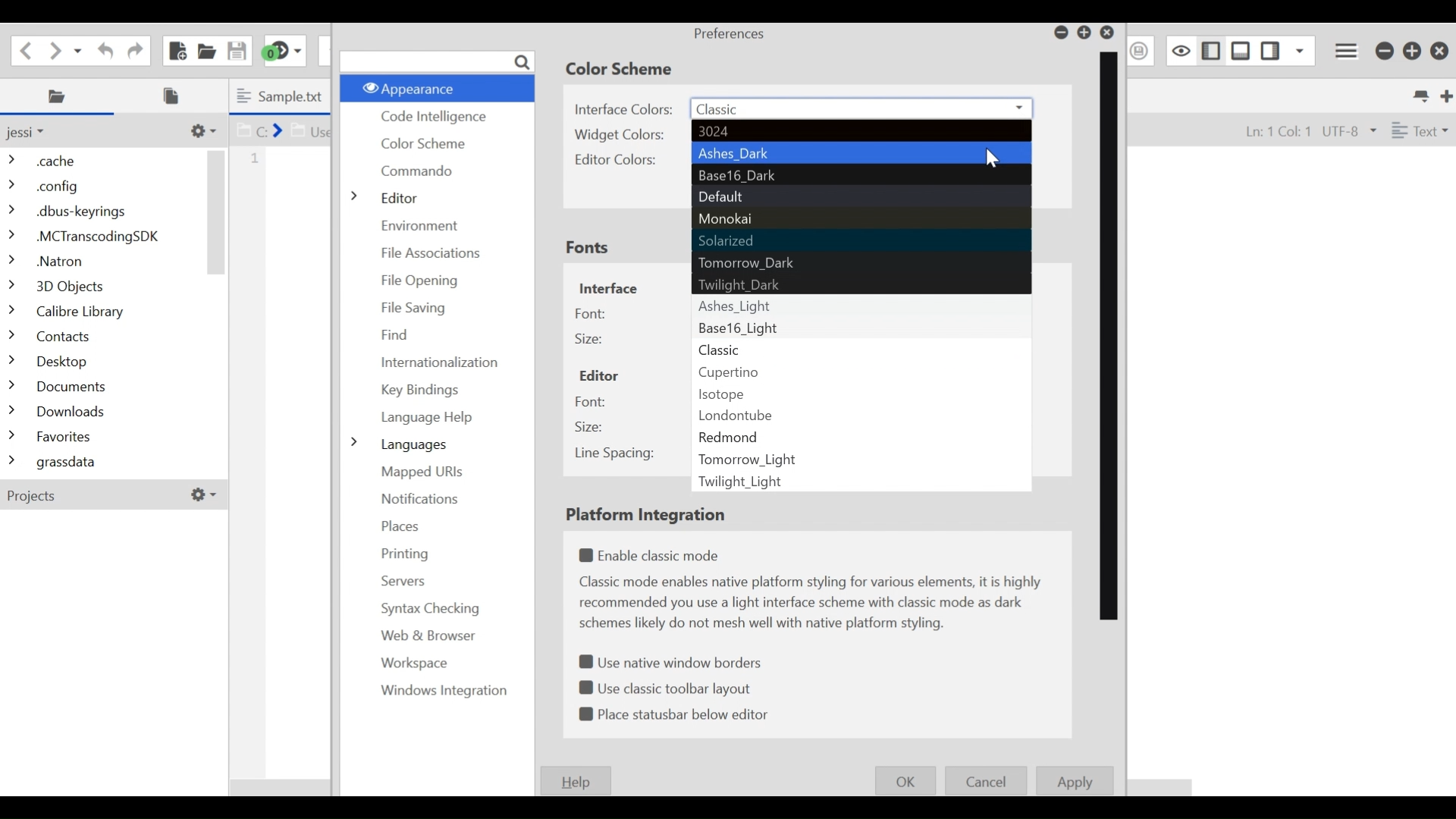 The image size is (1456, 819). What do you see at coordinates (133, 49) in the screenshot?
I see `Redo` at bounding box center [133, 49].